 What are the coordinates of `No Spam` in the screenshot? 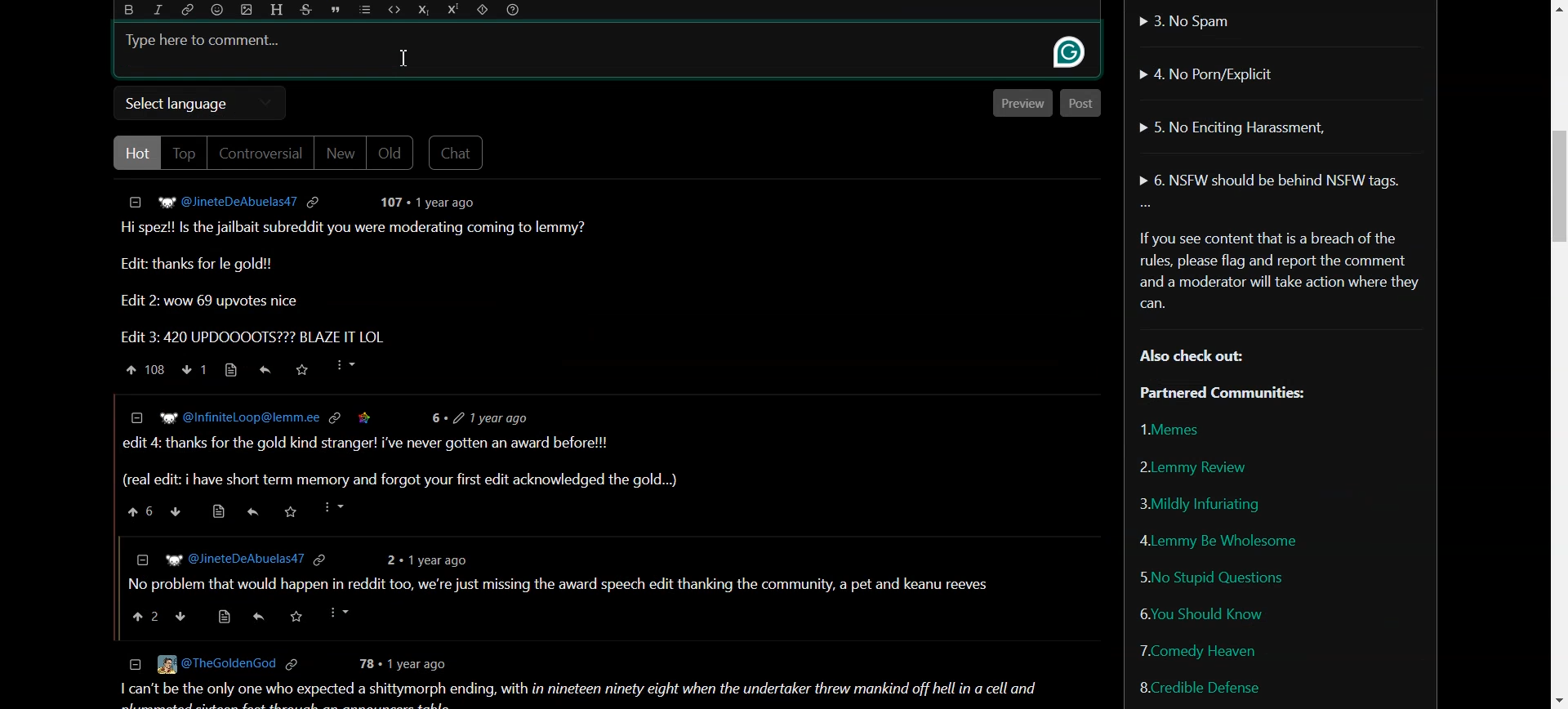 It's located at (1186, 20).